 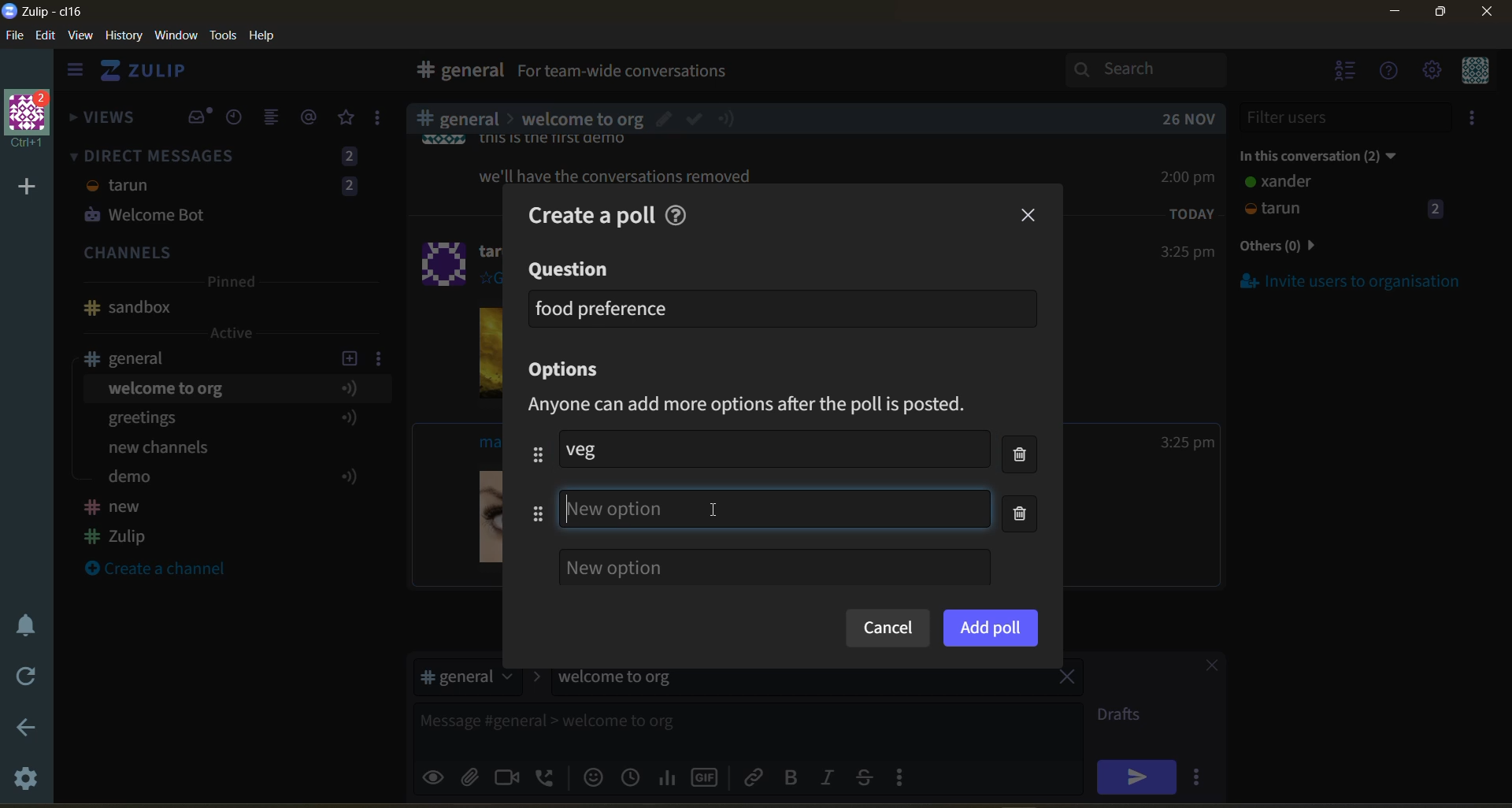 What do you see at coordinates (1190, 176) in the screenshot?
I see `2:00 pm` at bounding box center [1190, 176].